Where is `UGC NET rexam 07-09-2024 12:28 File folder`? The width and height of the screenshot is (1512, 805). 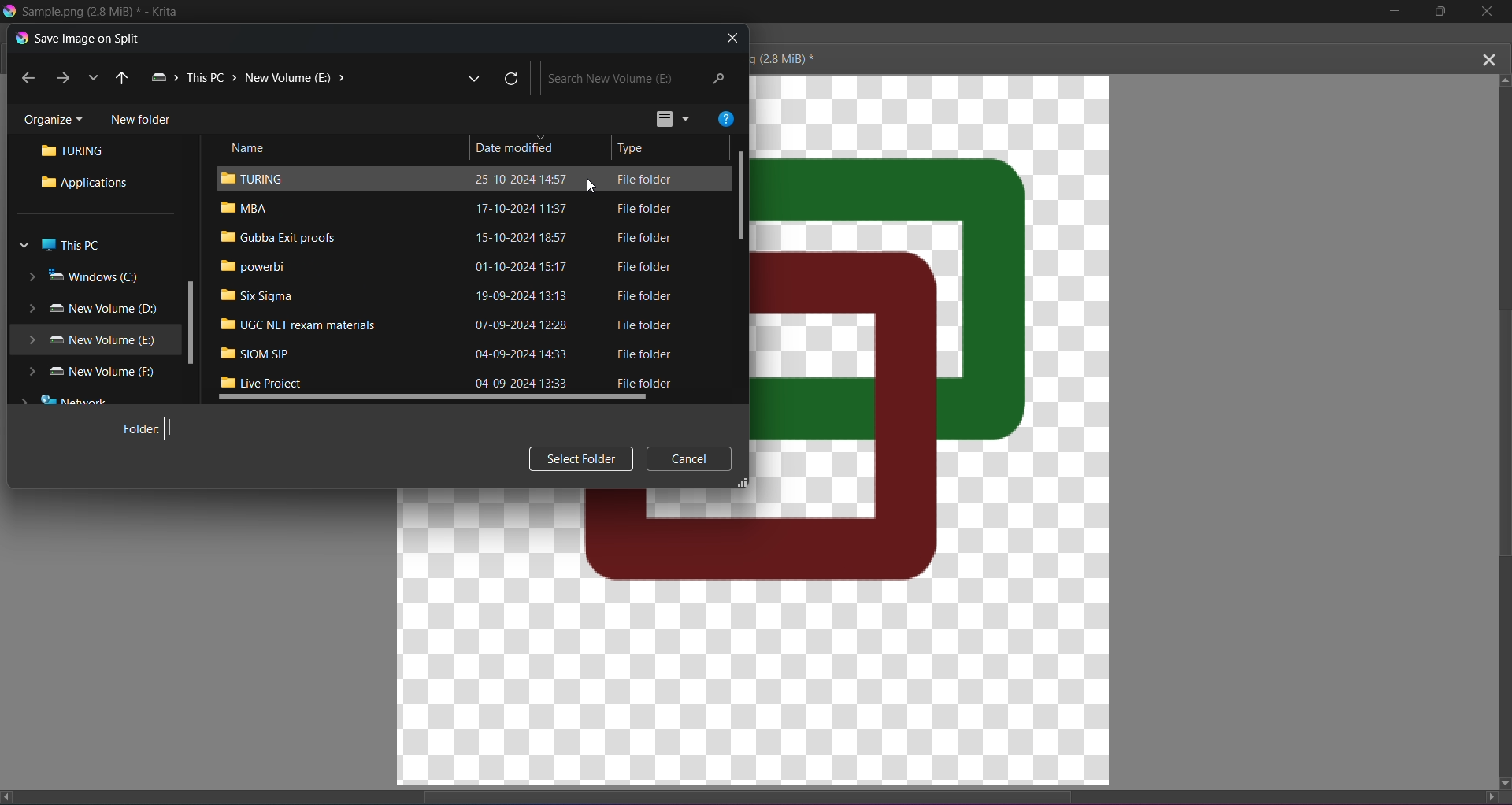 UGC NET rexam 07-09-2024 12:28 File folder is located at coordinates (456, 322).